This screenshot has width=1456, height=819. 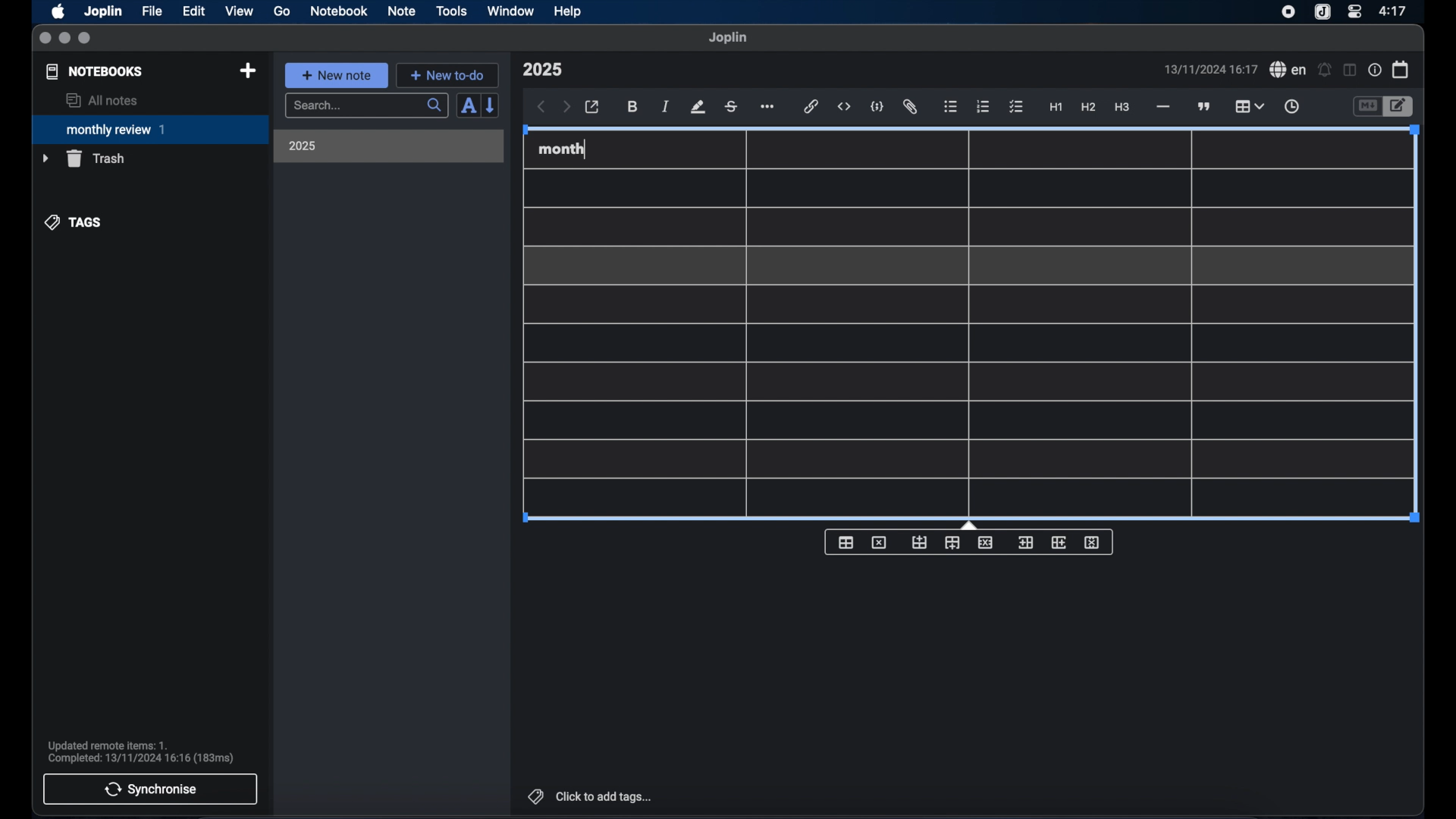 What do you see at coordinates (402, 11) in the screenshot?
I see `note` at bounding box center [402, 11].